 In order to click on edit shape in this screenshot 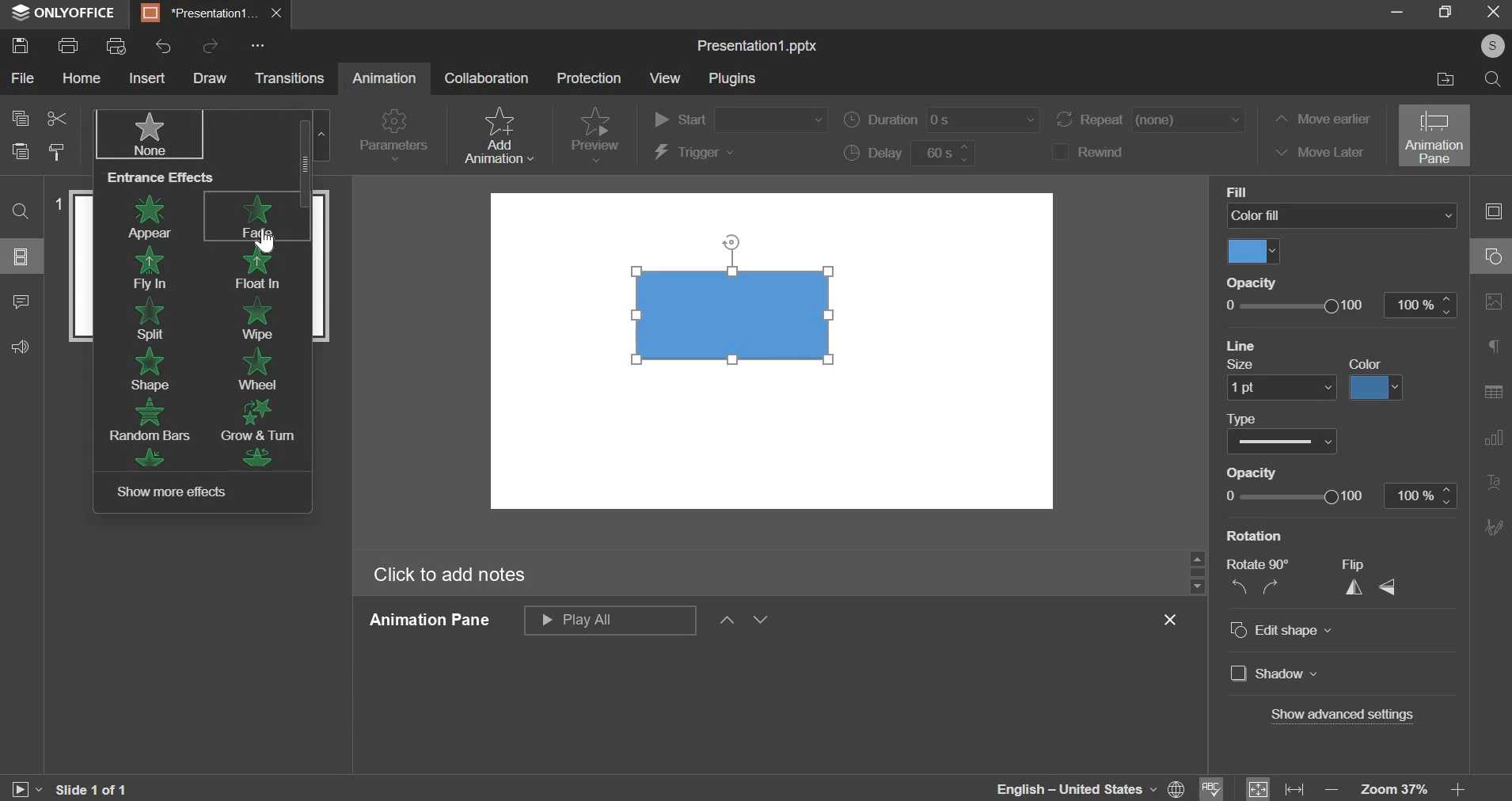, I will do `click(1313, 628)`.